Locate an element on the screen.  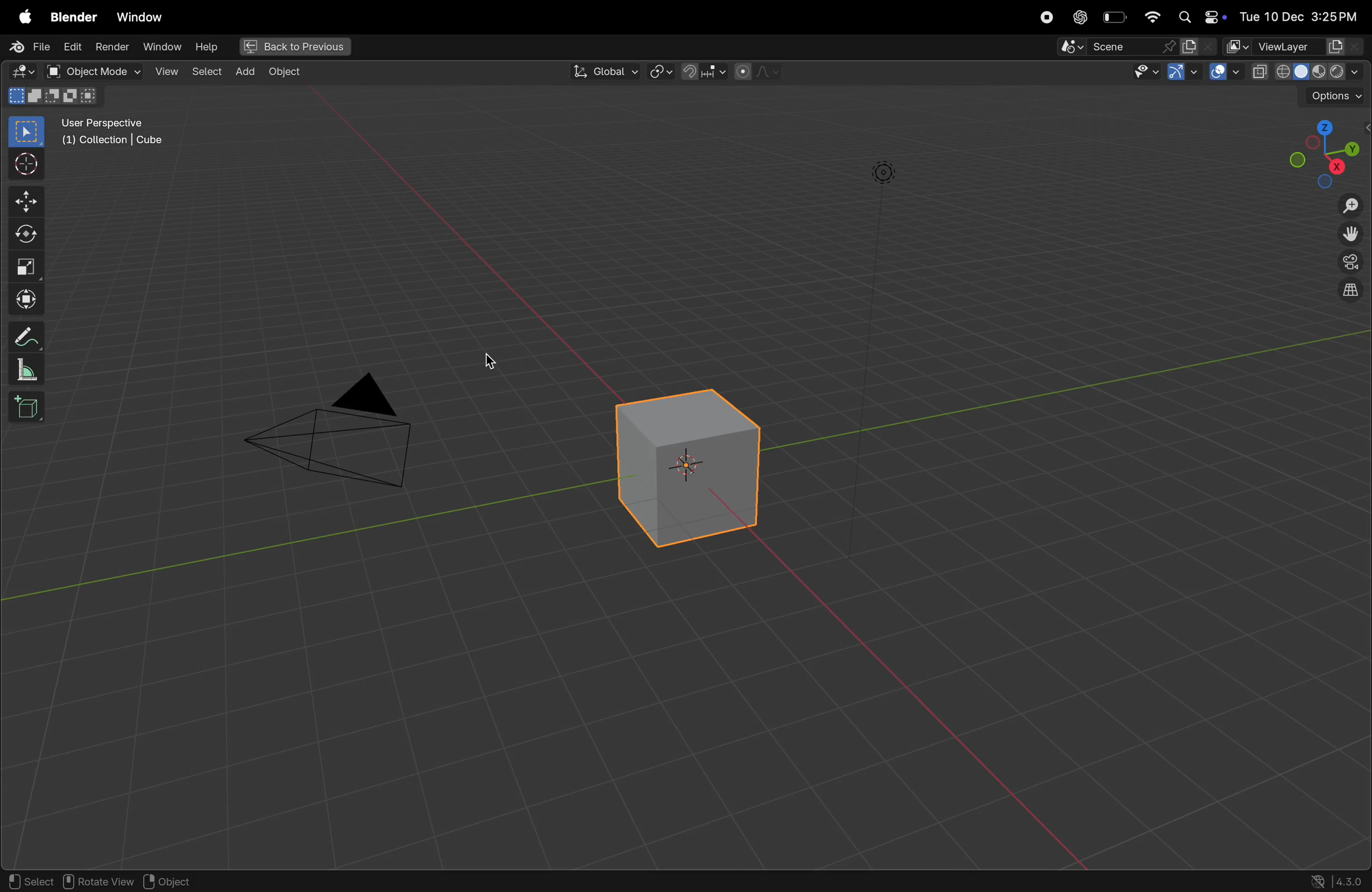
measure is located at coordinates (27, 372).